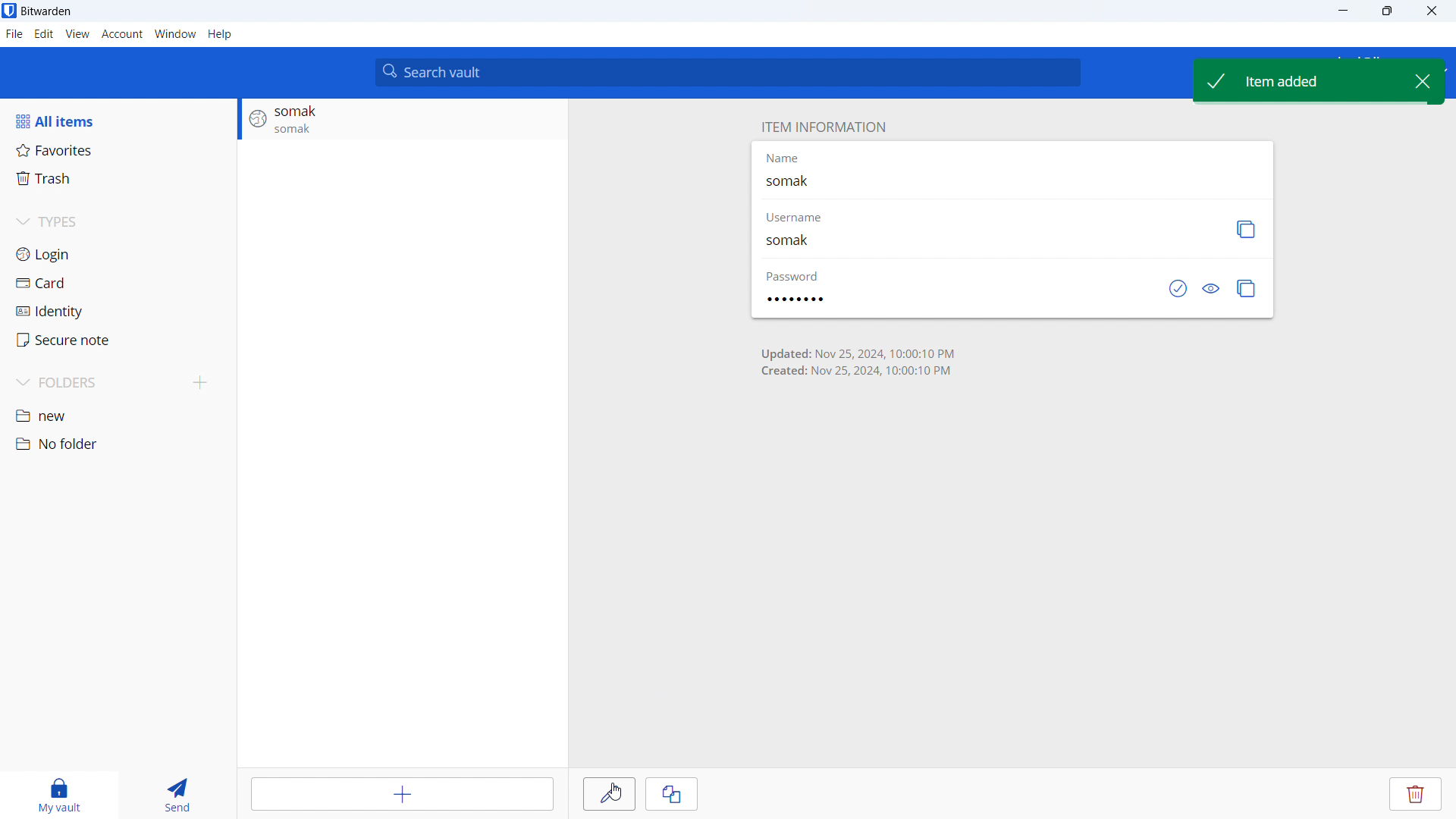  Describe the element at coordinates (122, 34) in the screenshot. I see `account` at that location.